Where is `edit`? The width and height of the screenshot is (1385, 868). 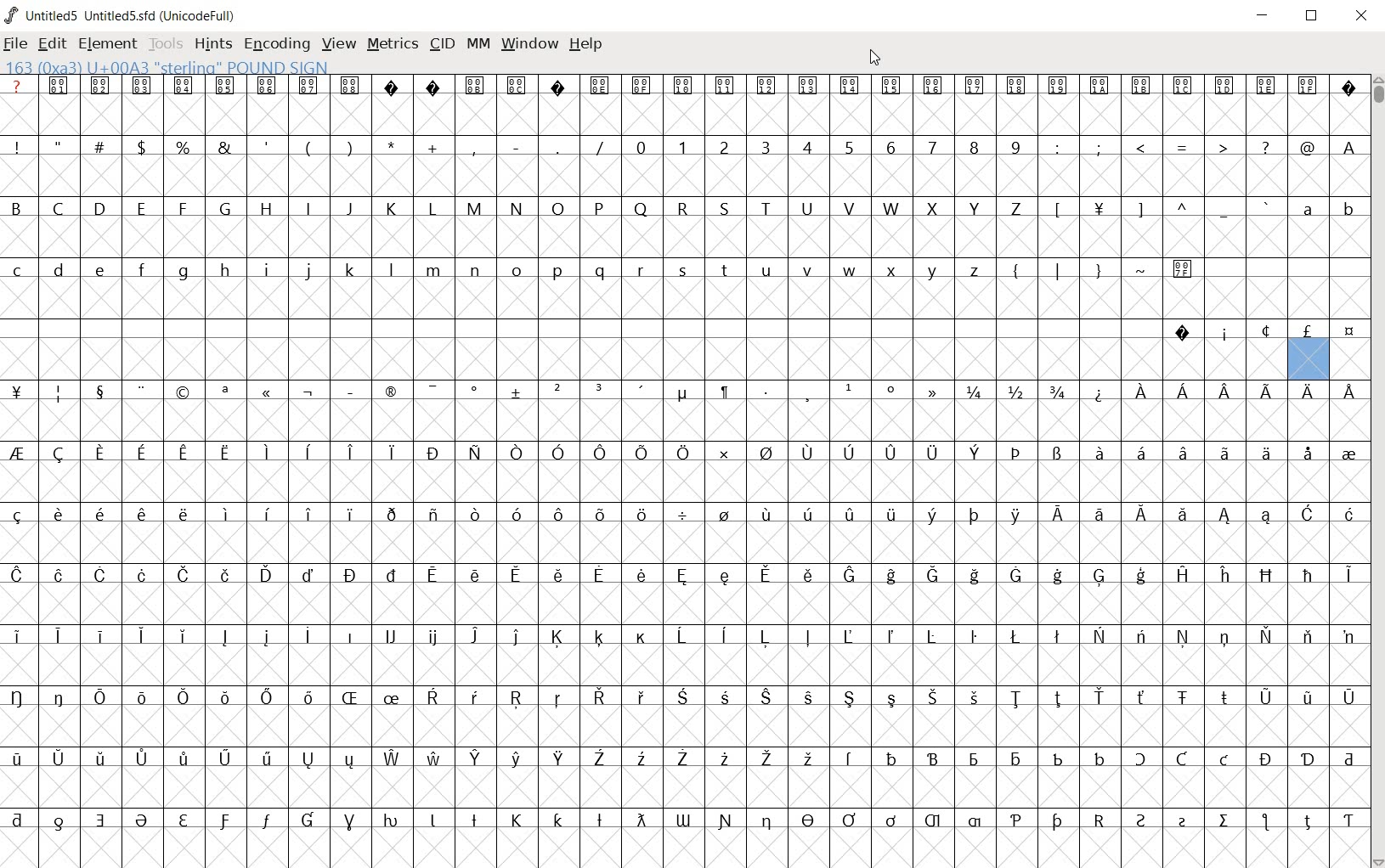 edit is located at coordinates (53, 45).